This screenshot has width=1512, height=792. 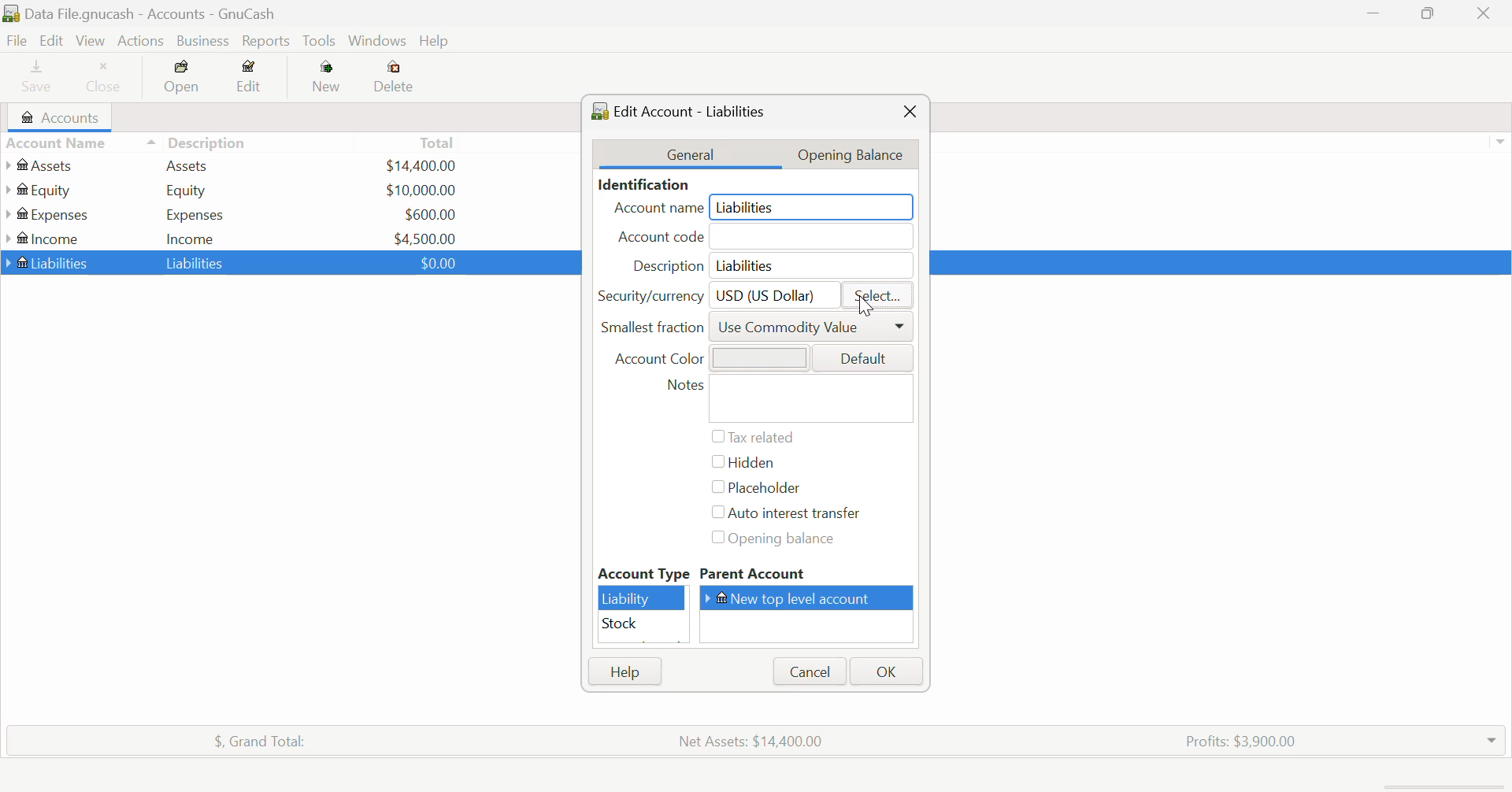 I want to click on Identification, so click(x=640, y=184).